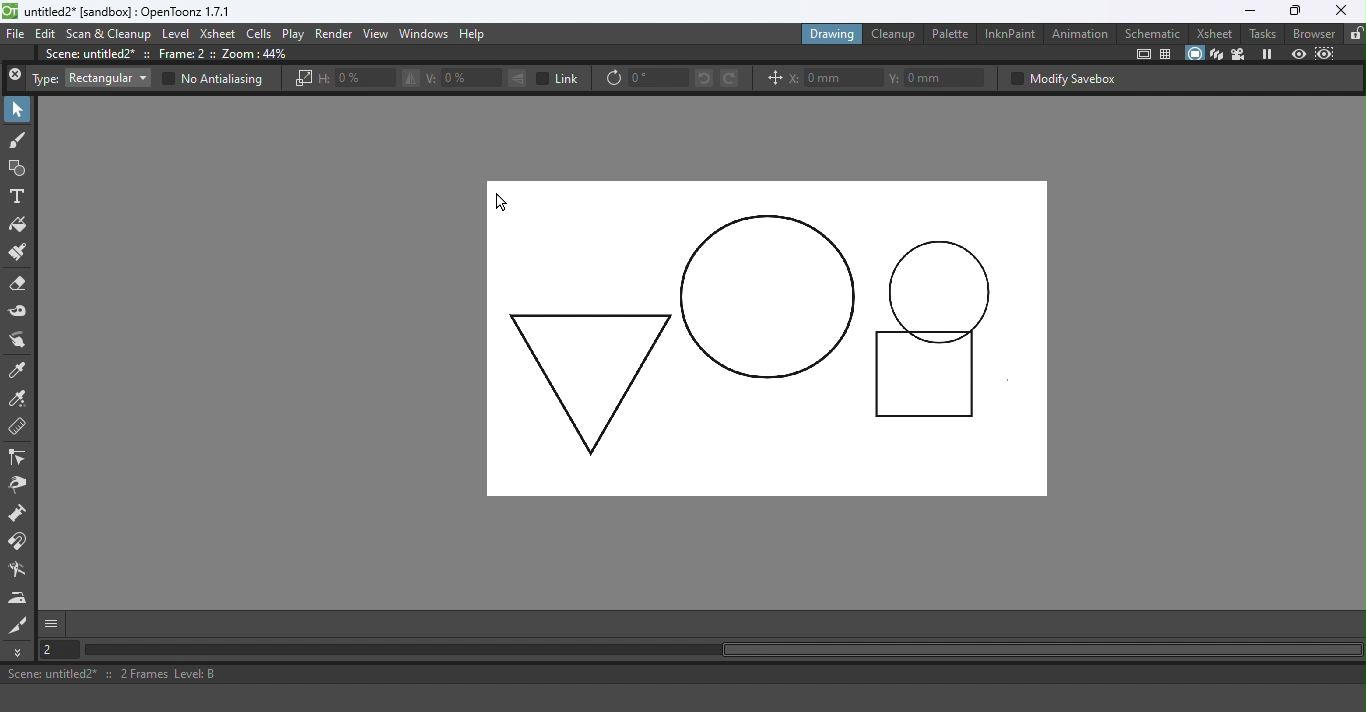 The height and width of the screenshot is (712, 1366). What do you see at coordinates (1238, 55) in the screenshot?
I see `Camera view` at bounding box center [1238, 55].